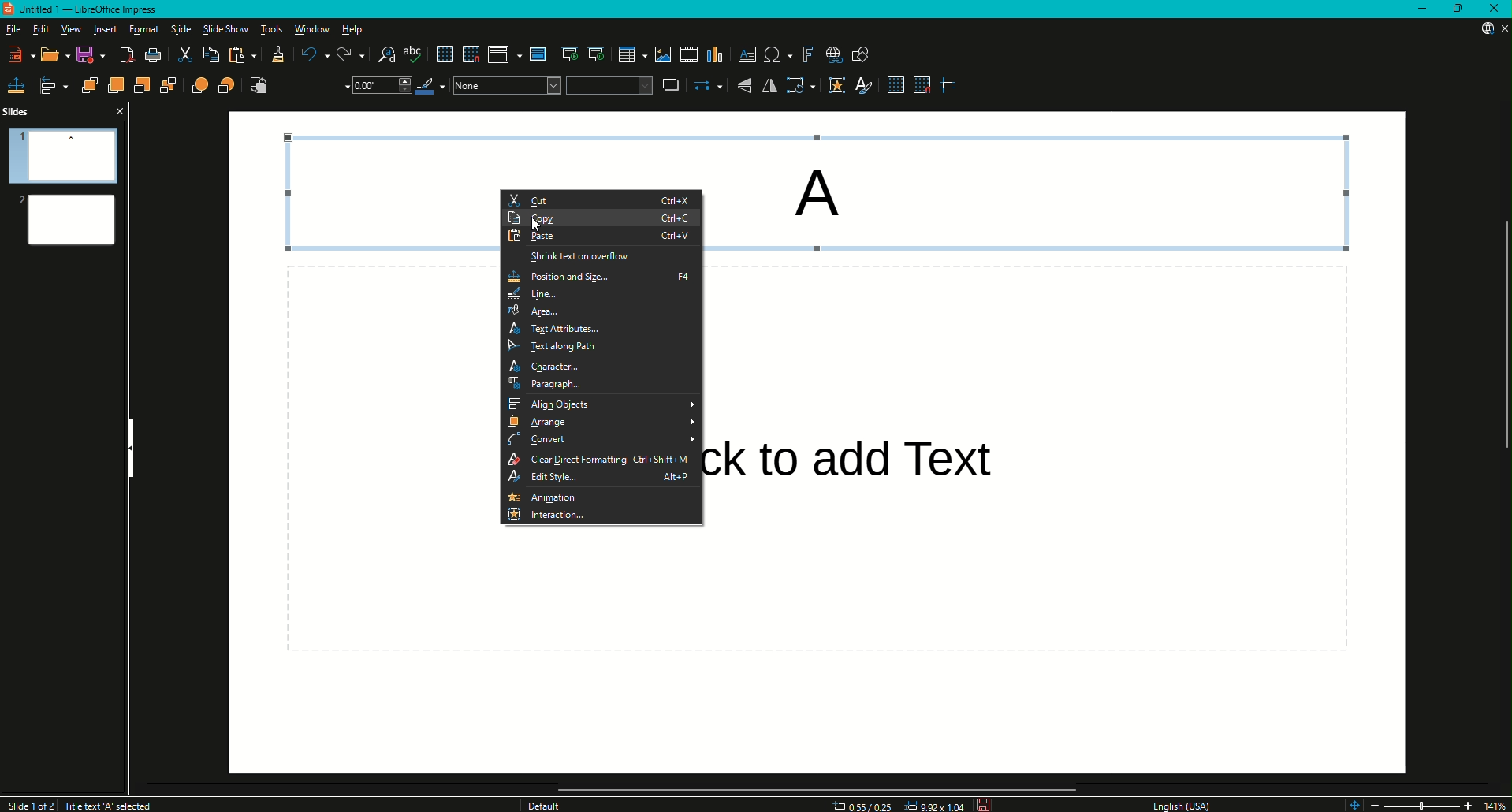 The height and width of the screenshot is (812, 1512). I want to click on Print, so click(153, 54).